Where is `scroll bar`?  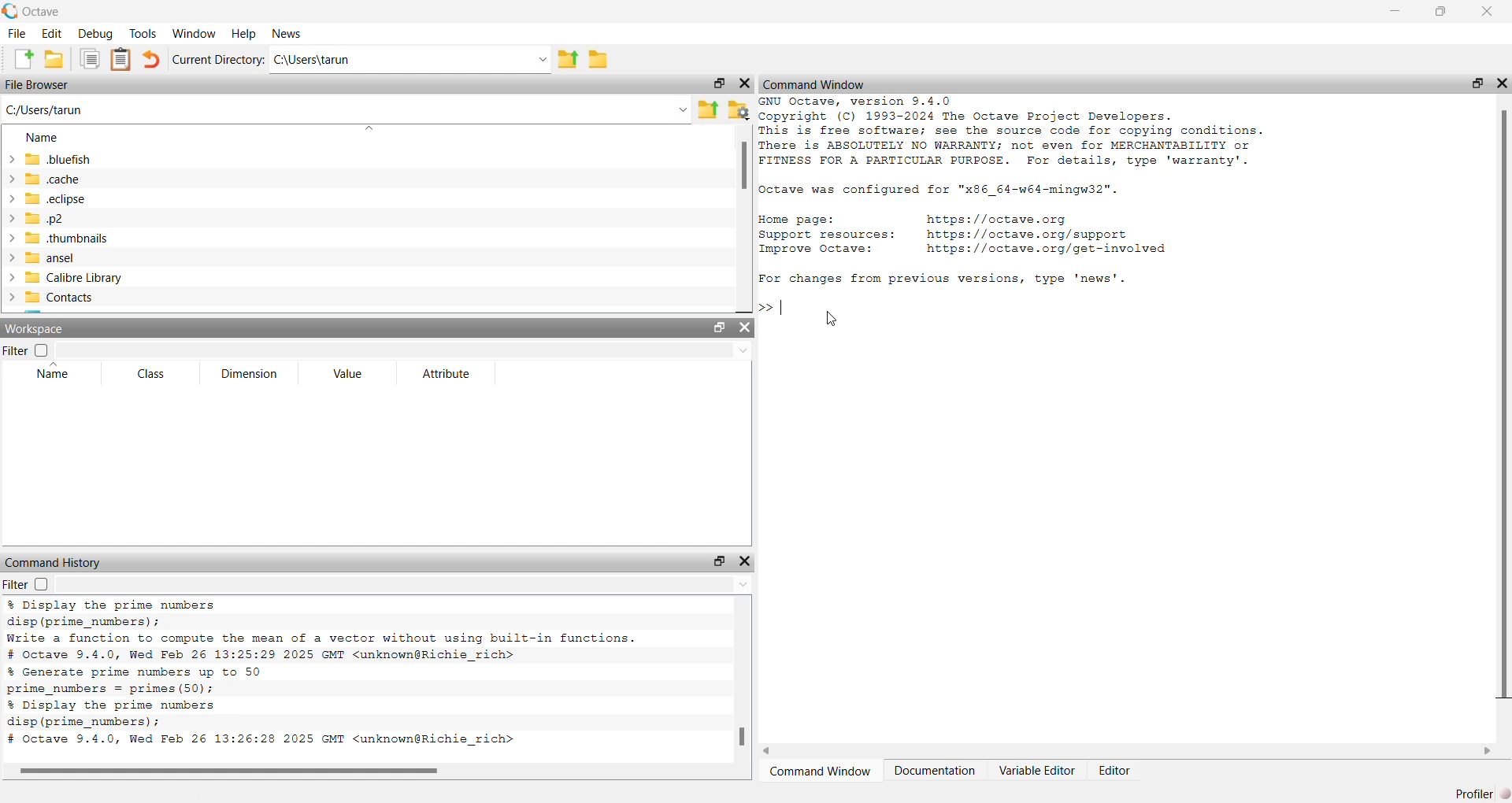 scroll bar is located at coordinates (744, 165).